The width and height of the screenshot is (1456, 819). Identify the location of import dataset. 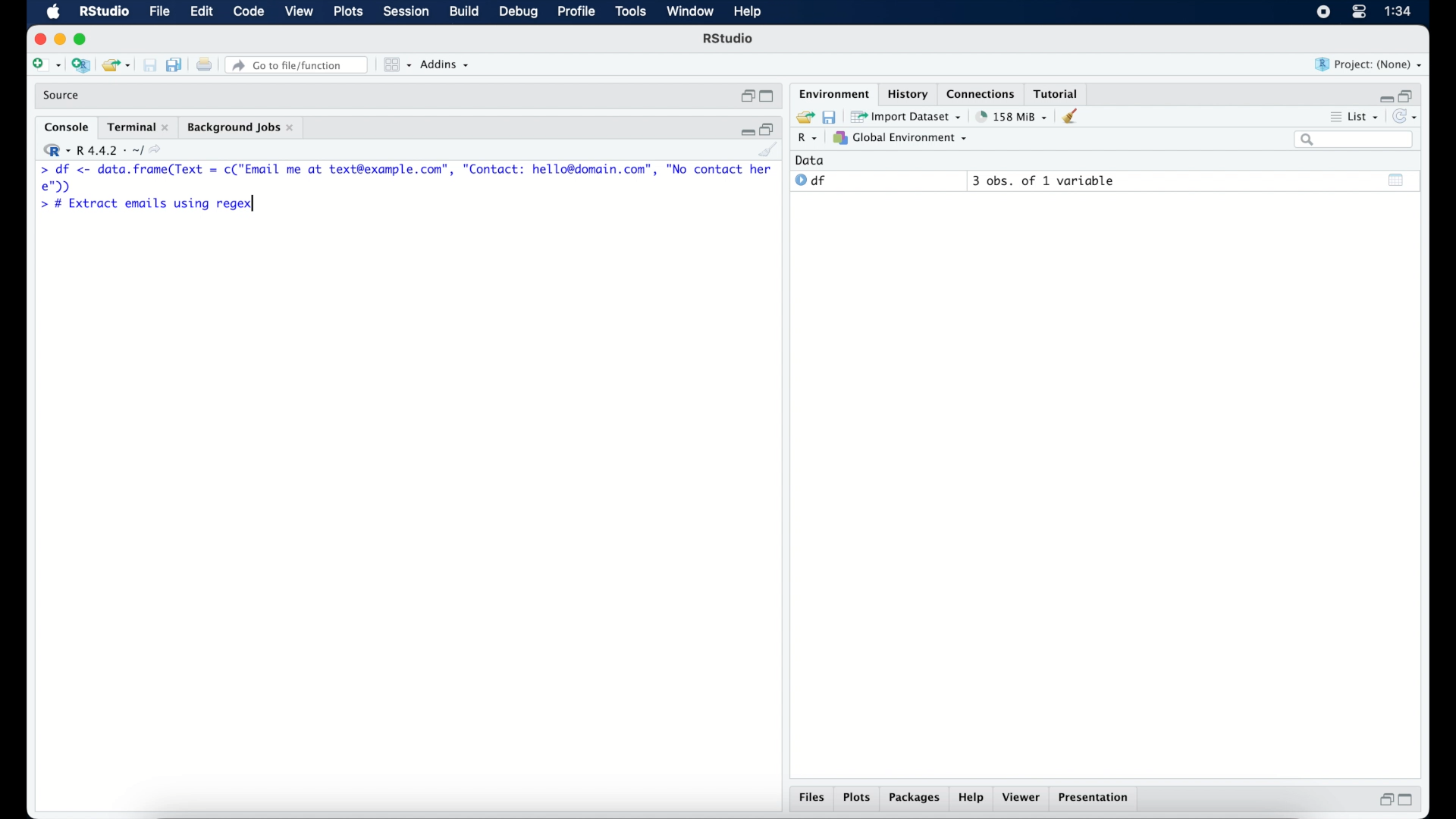
(908, 117).